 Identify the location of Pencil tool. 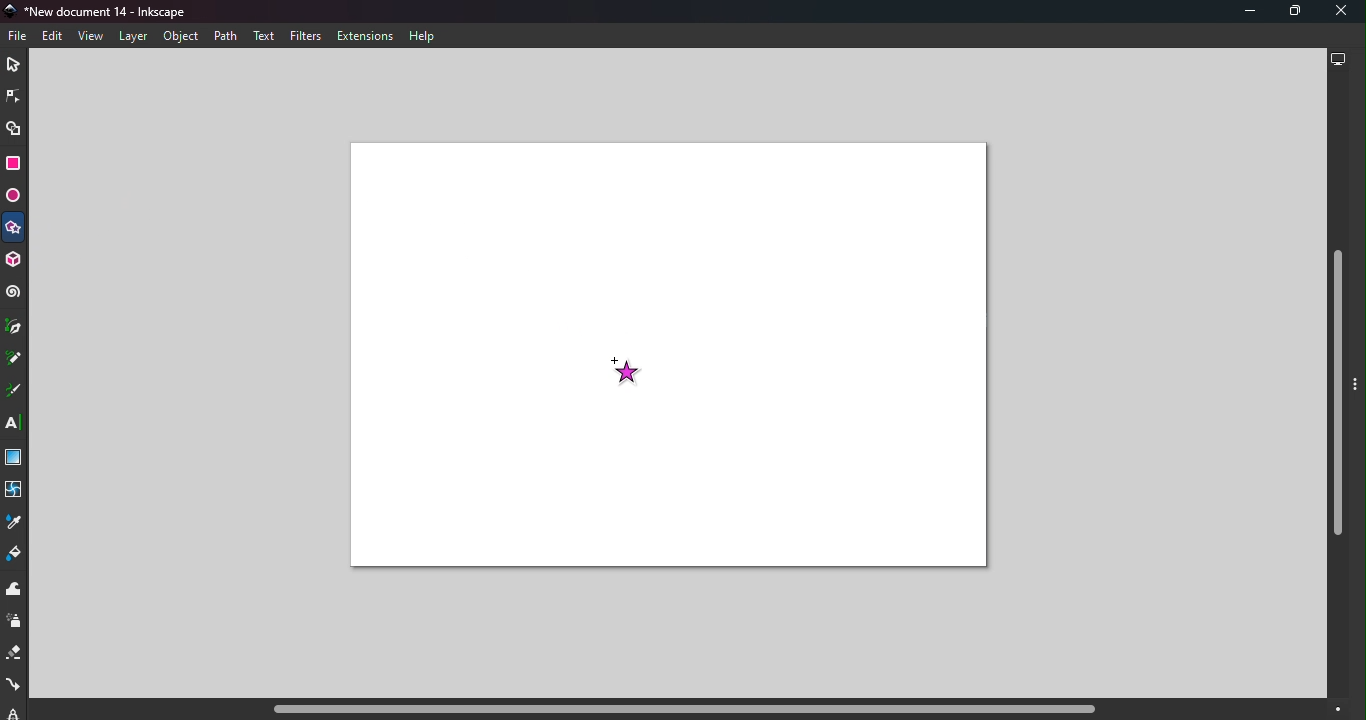
(14, 360).